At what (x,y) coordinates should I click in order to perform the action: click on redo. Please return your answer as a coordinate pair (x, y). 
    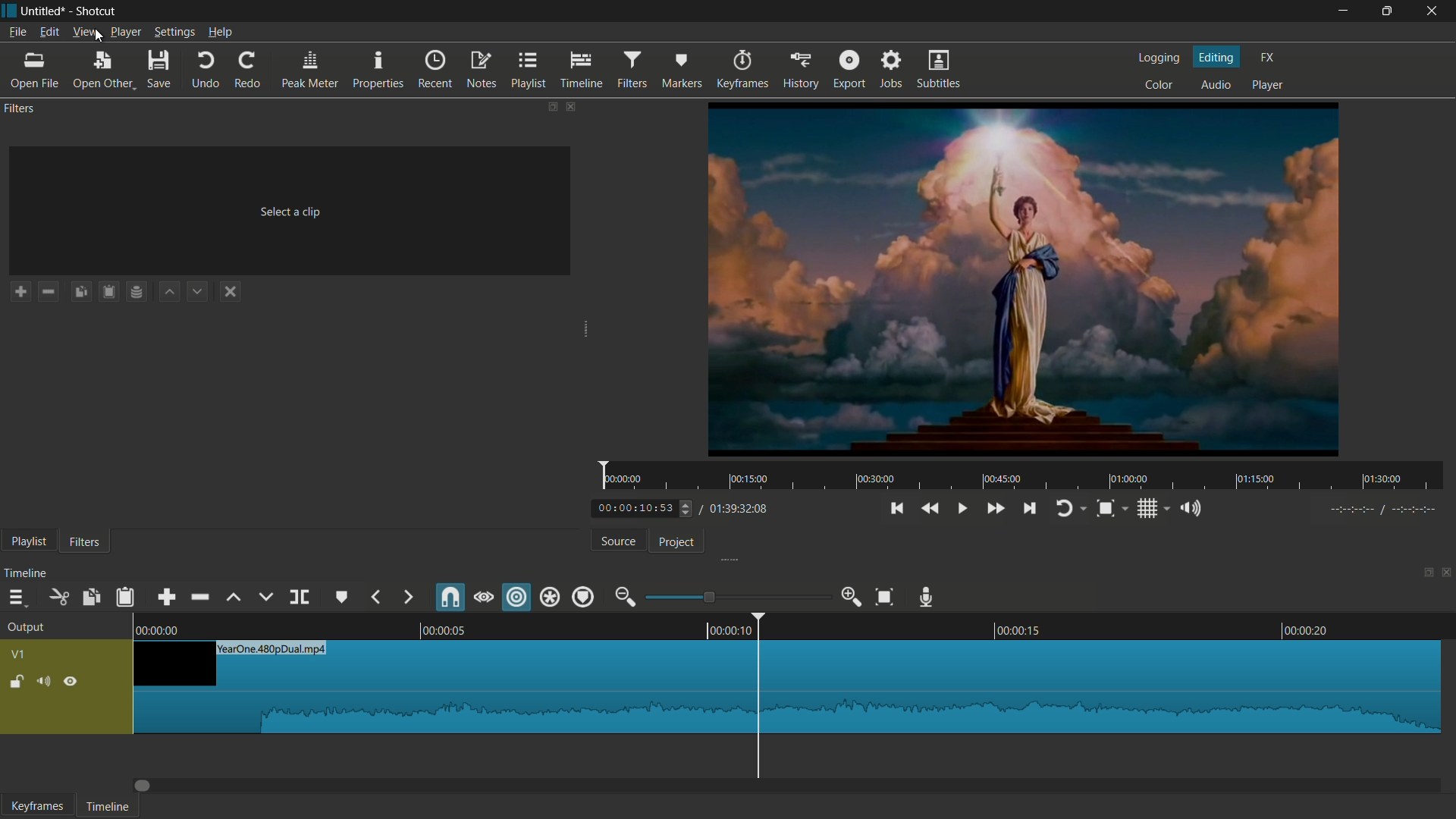
    Looking at the image, I should click on (247, 71).